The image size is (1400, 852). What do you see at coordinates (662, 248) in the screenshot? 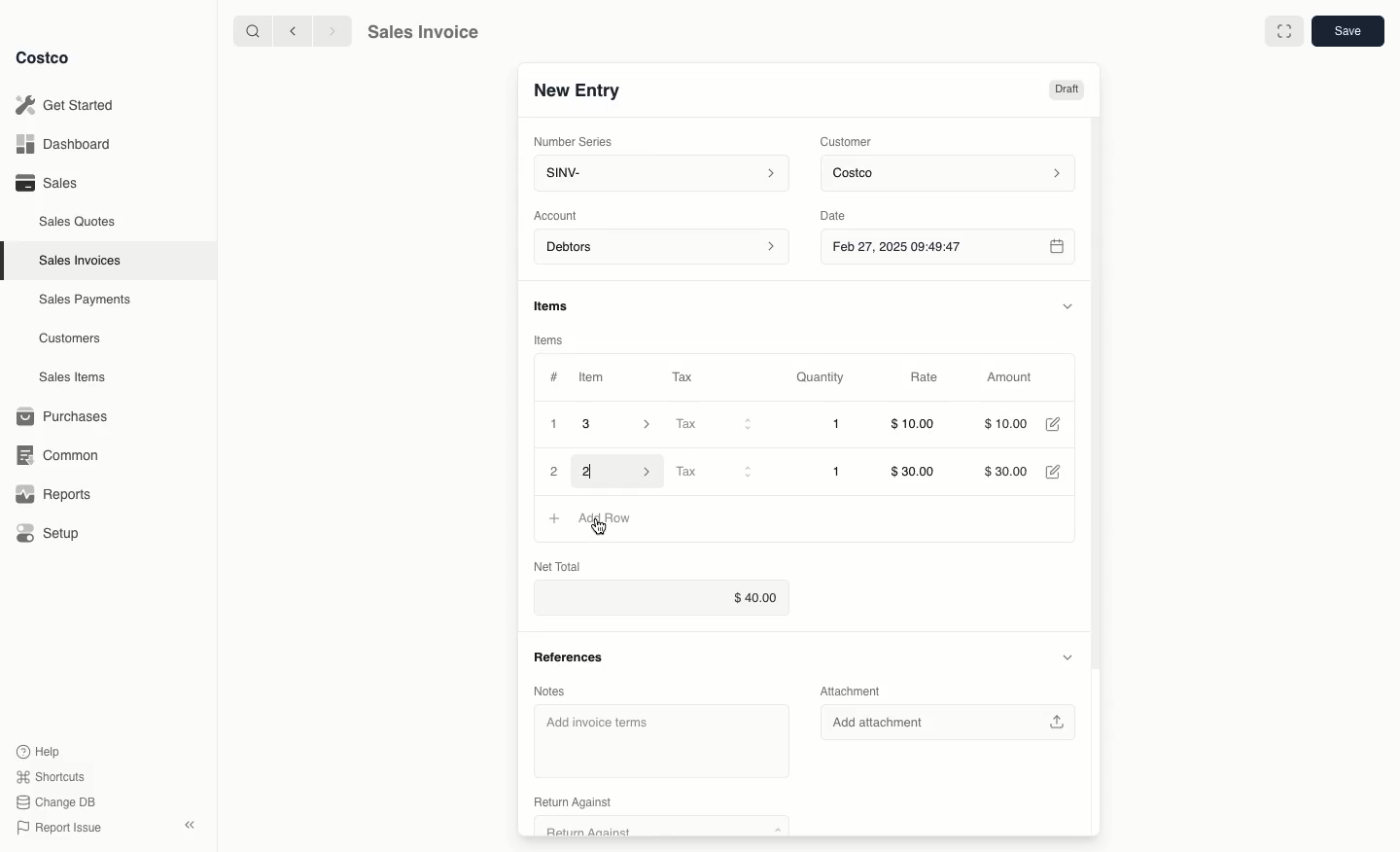
I see `Debtors` at bounding box center [662, 248].